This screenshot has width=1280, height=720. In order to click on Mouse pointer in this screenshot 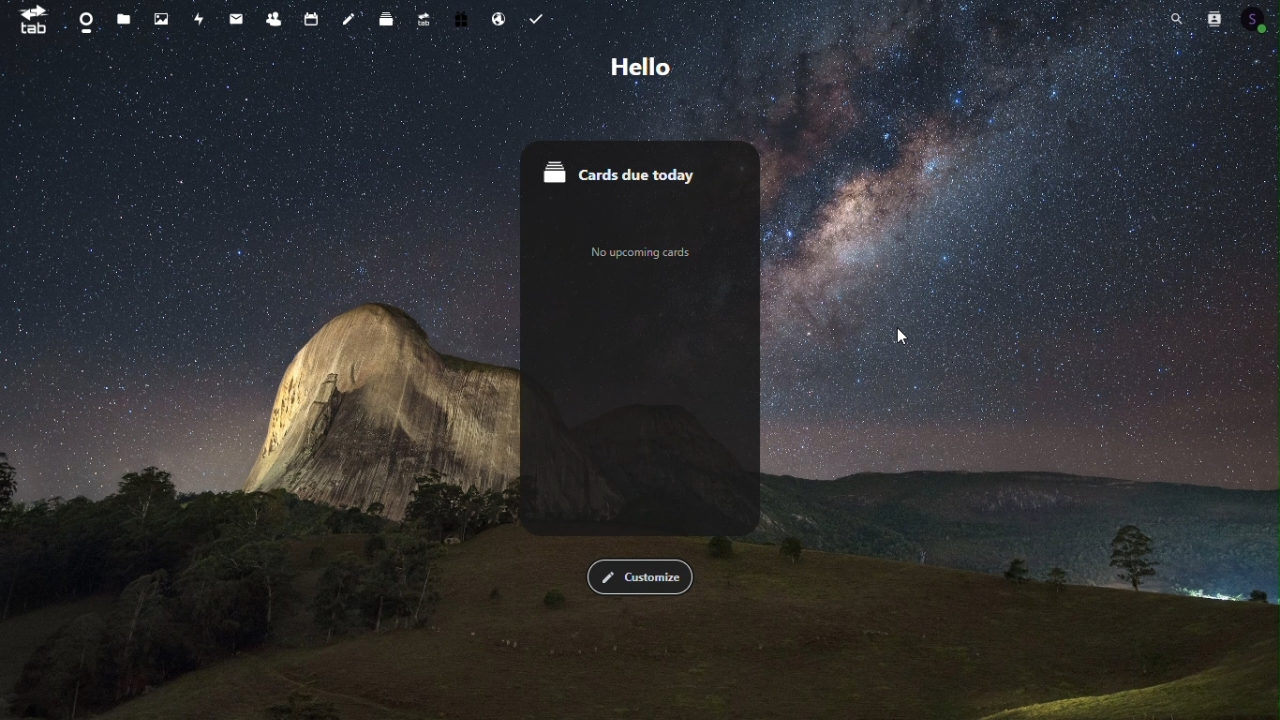, I will do `click(899, 337)`.